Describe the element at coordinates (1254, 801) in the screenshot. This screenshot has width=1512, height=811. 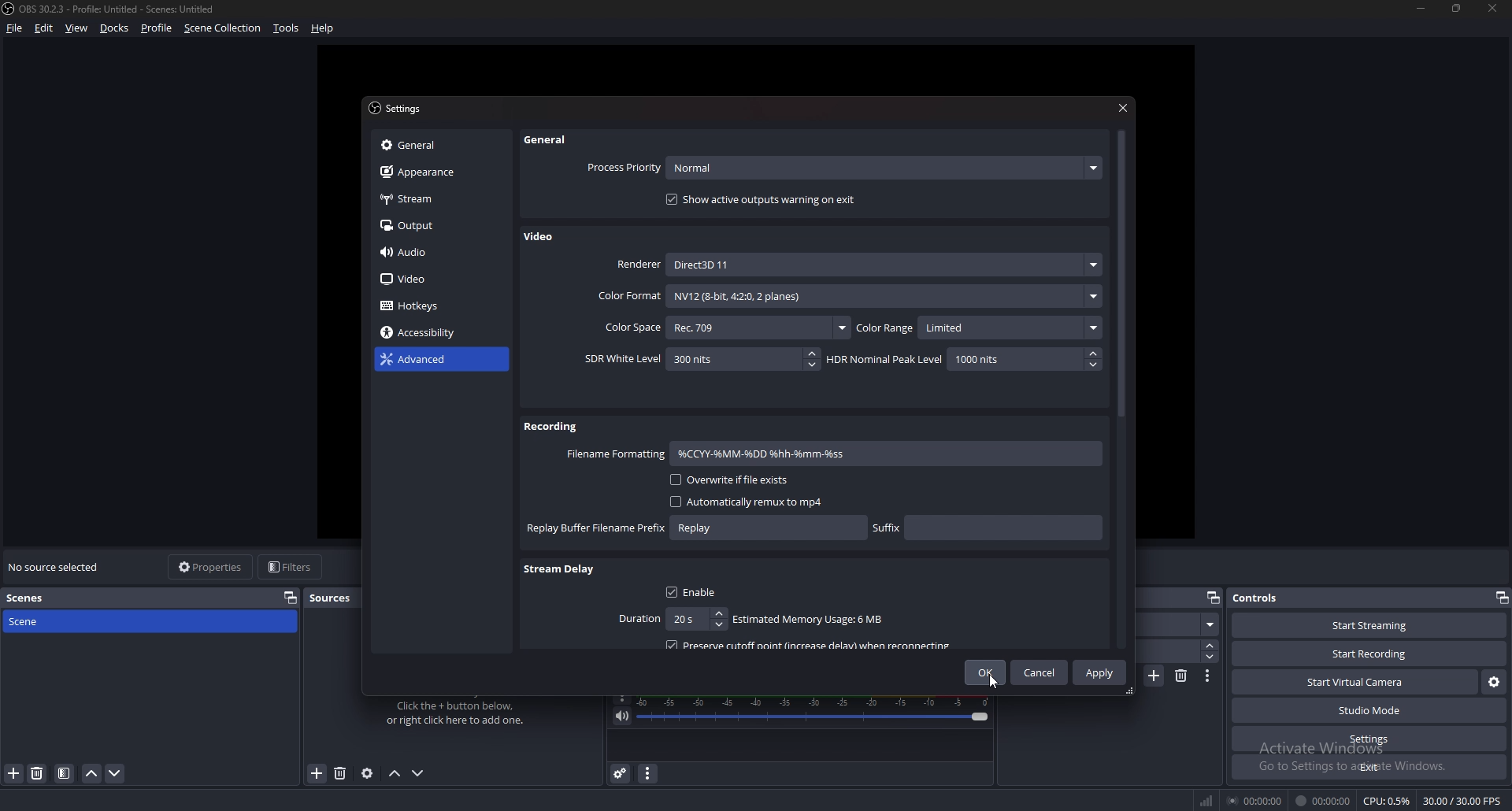
I see `00:00:00` at that location.